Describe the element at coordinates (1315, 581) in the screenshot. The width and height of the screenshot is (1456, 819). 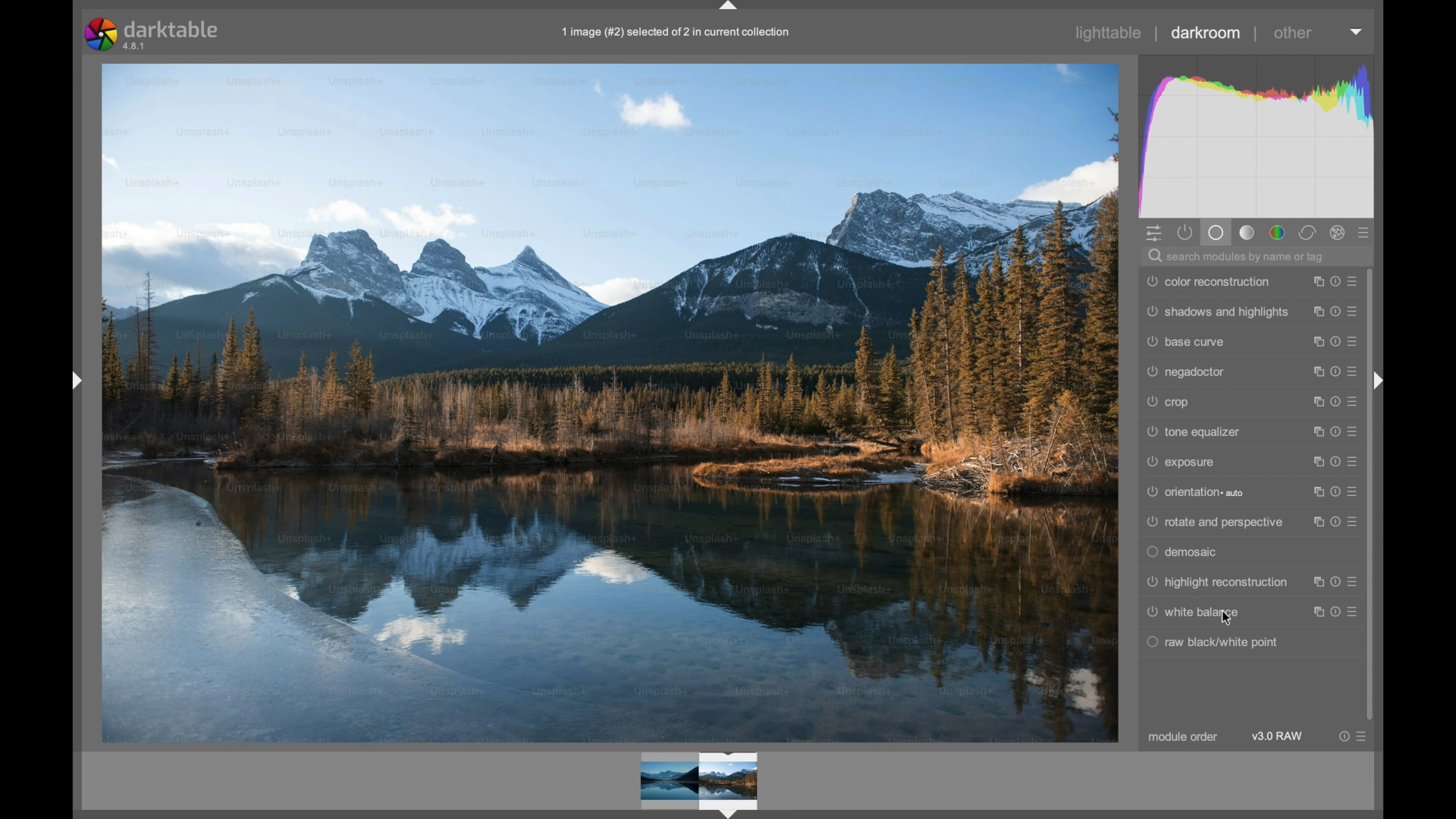
I see `instance` at that location.